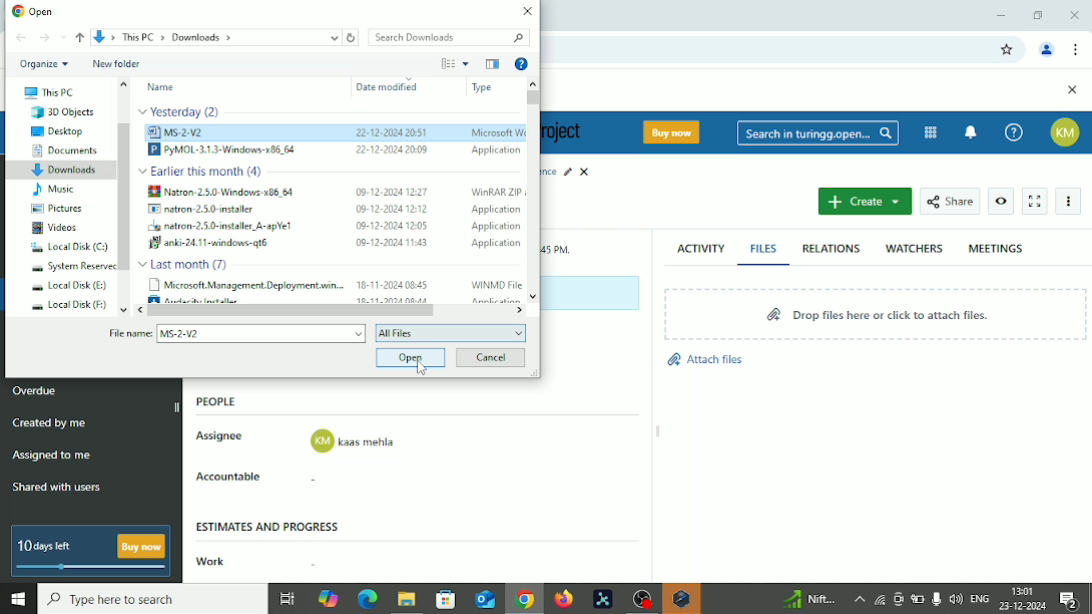 The height and width of the screenshot is (614, 1092). What do you see at coordinates (186, 132) in the screenshot?
I see `ims 2ve` at bounding box center [186, 132].